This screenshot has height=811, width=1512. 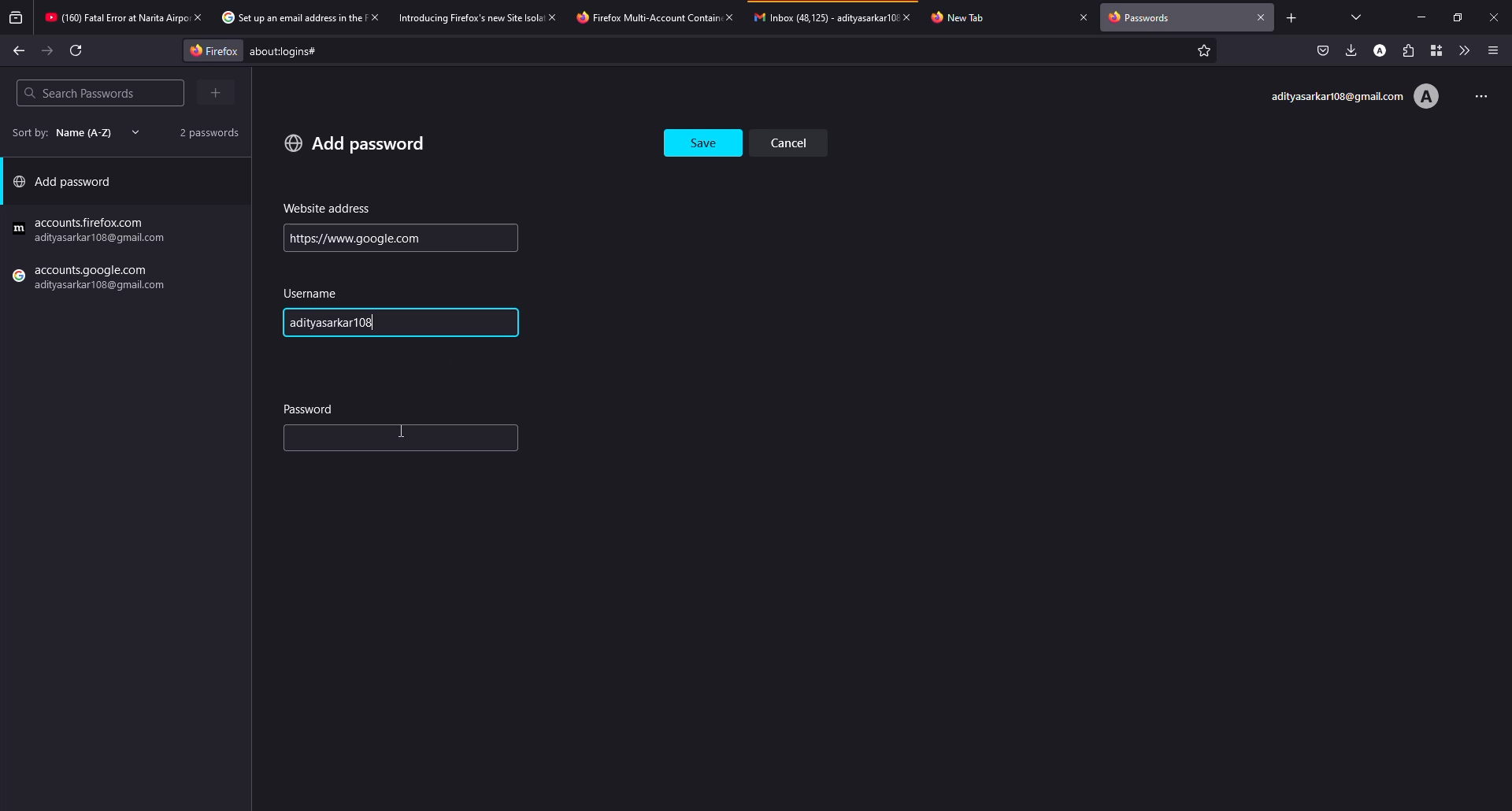 I want to click on sort by name, so click(x=71, y=132).